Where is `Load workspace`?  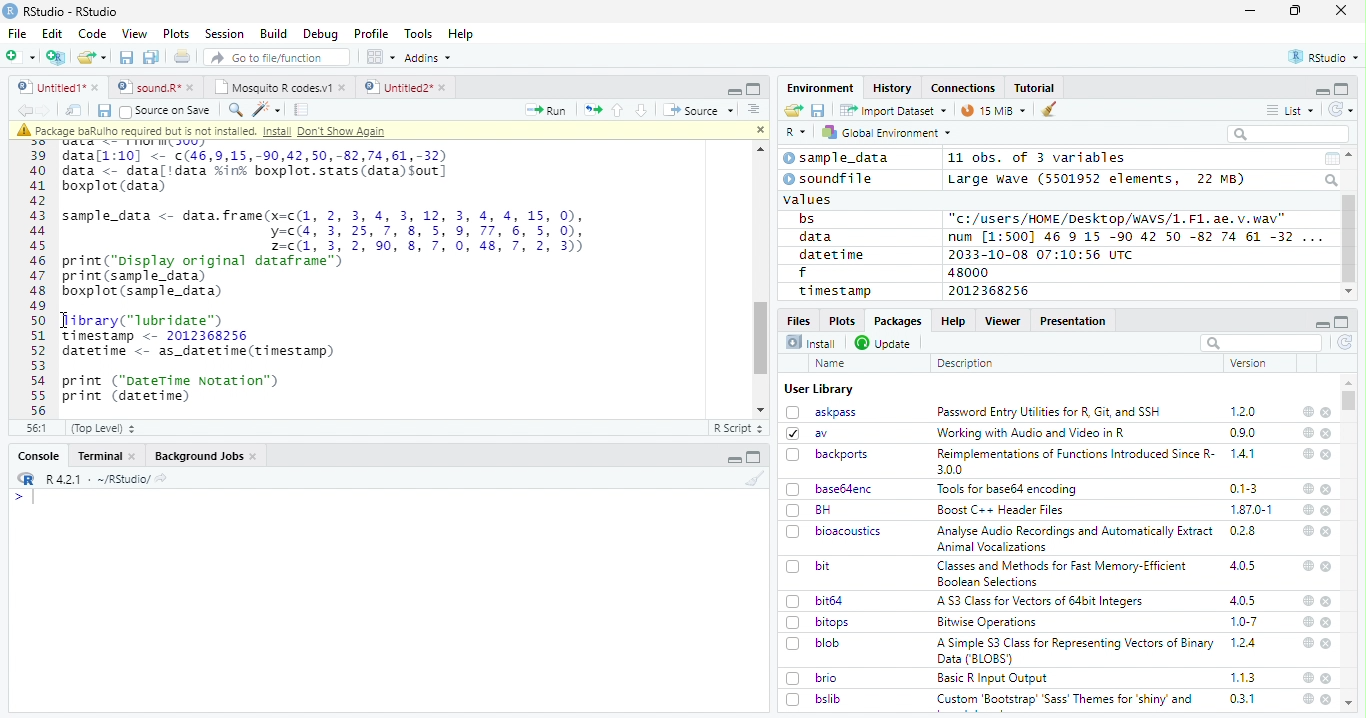 Load workspace is located at coordinates (794, 111).